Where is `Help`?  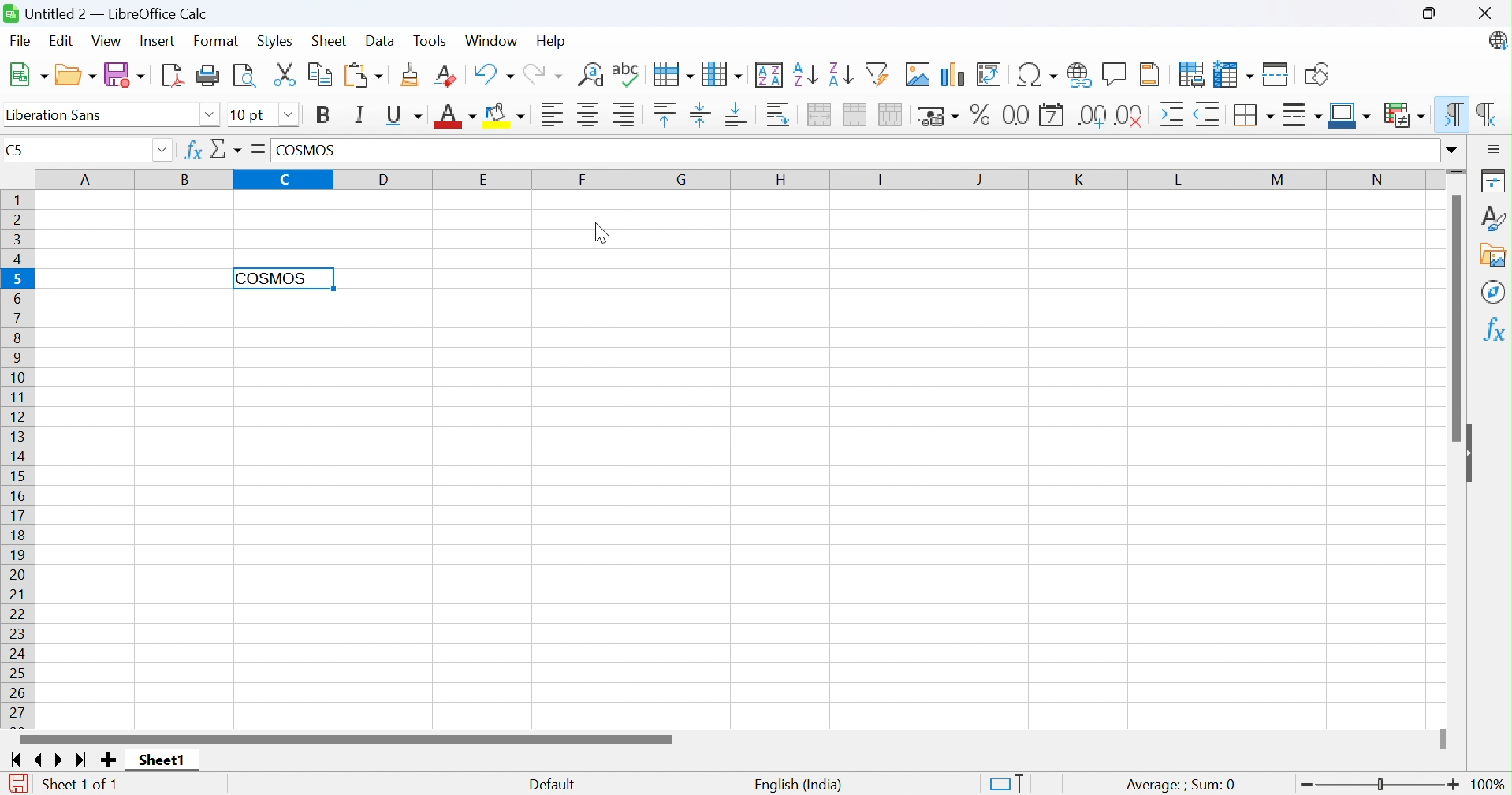
Help is located at coordinates (552, 42).